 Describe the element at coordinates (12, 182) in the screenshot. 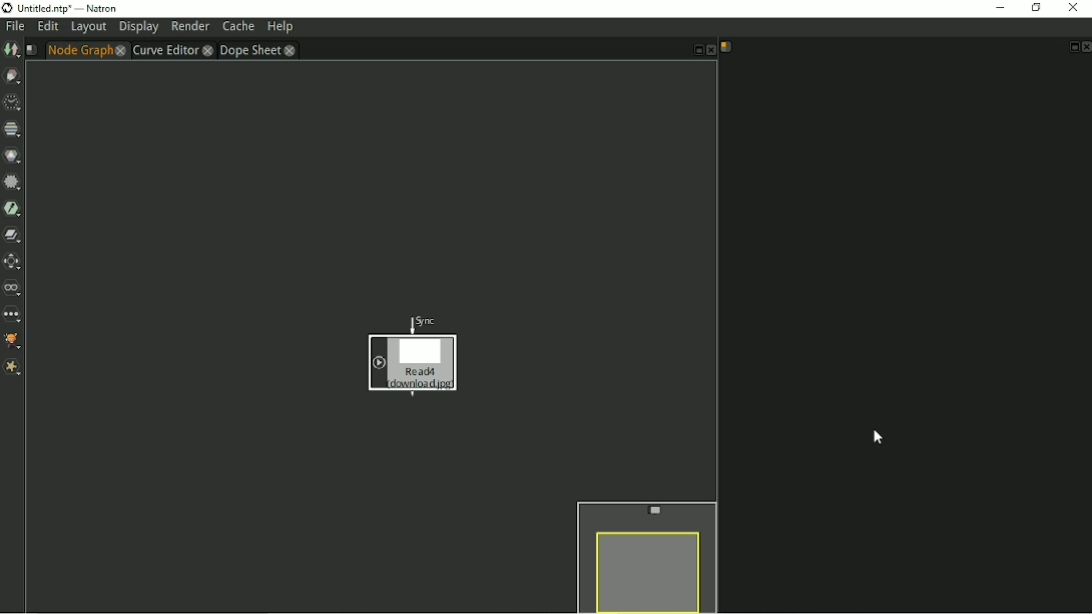

I see `Filter` at that location.